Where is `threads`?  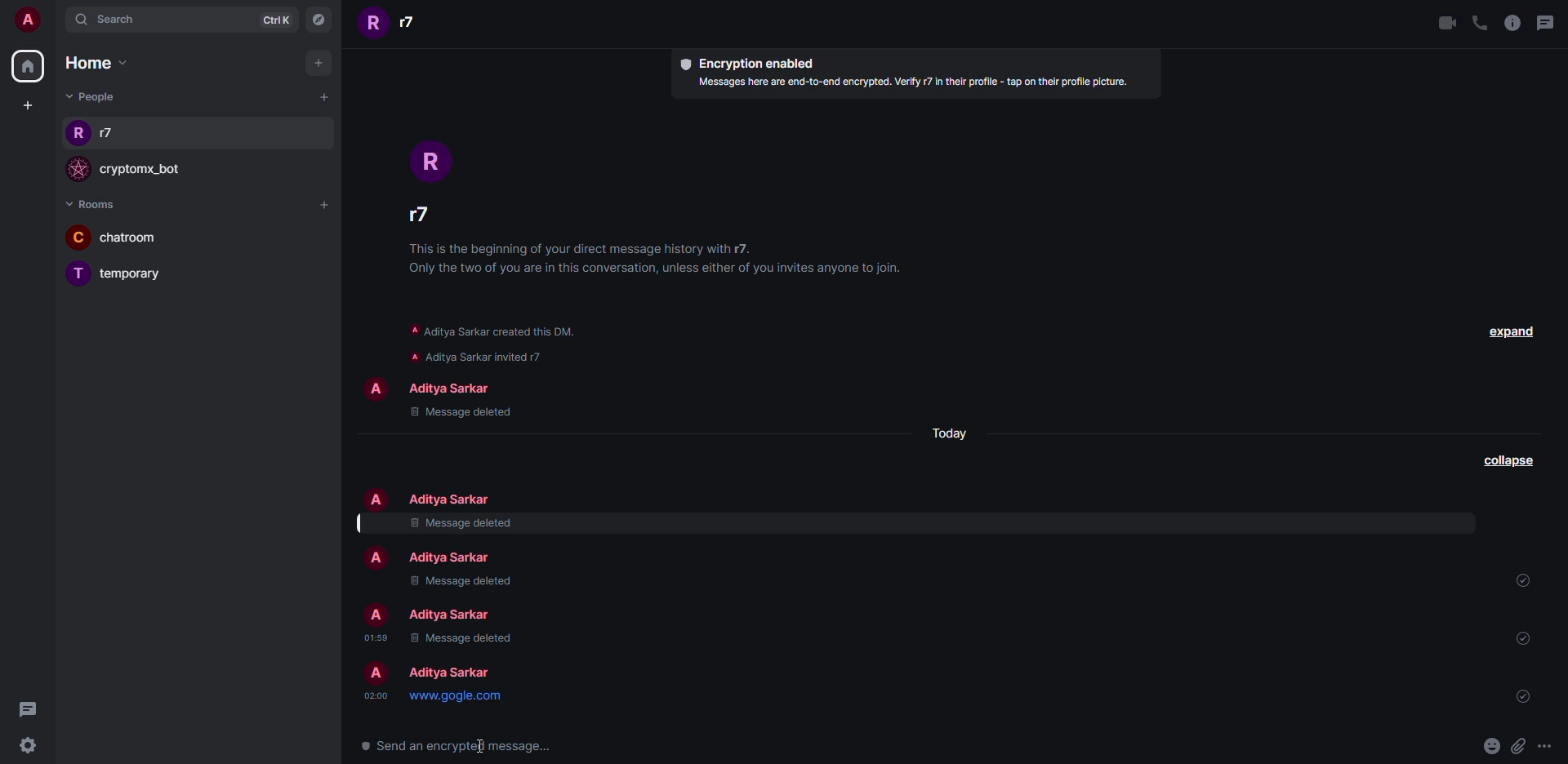
threads is located at coordinates (27, 707).